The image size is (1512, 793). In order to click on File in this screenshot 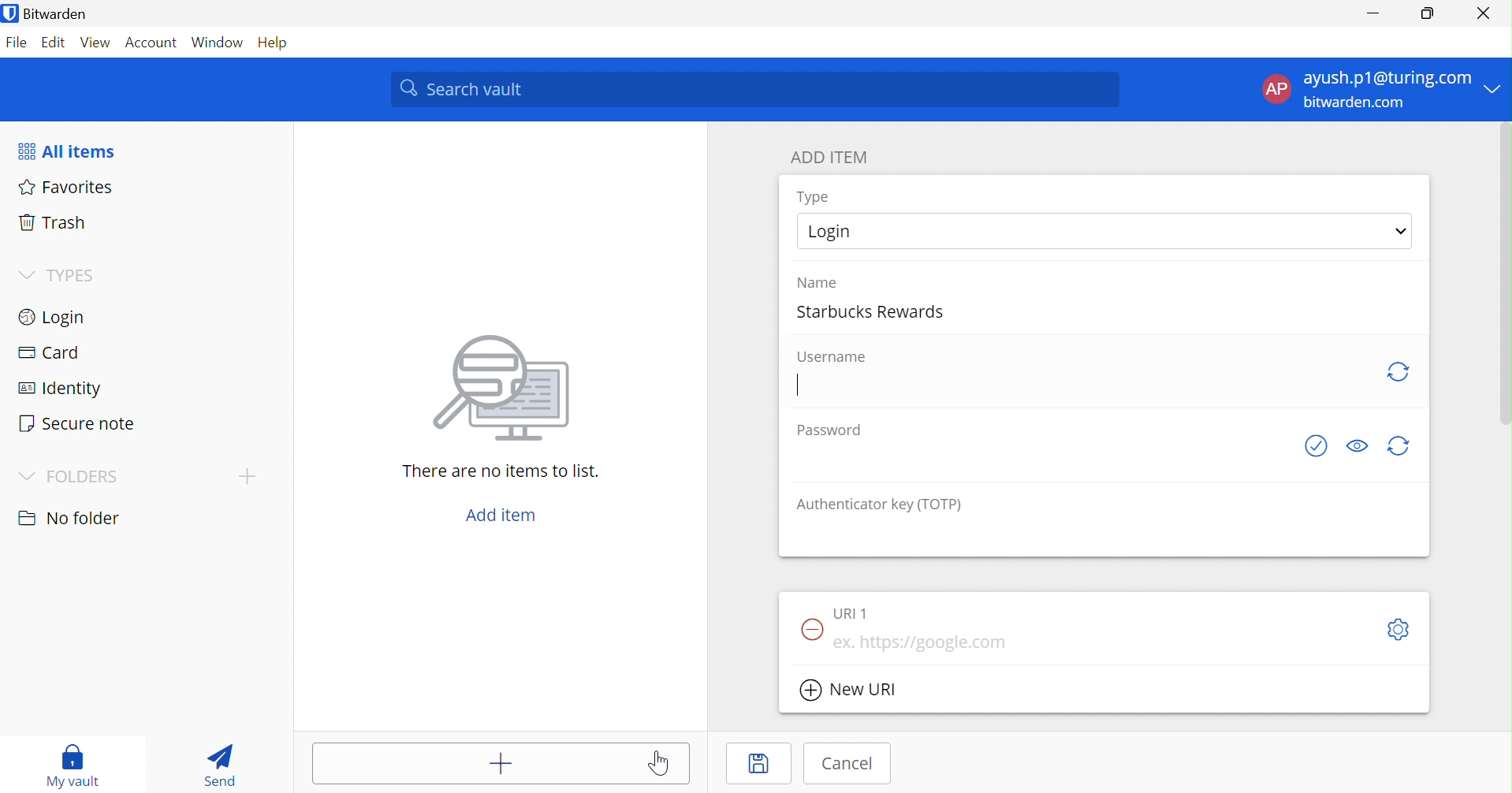, I will do `click(17, 45)`.